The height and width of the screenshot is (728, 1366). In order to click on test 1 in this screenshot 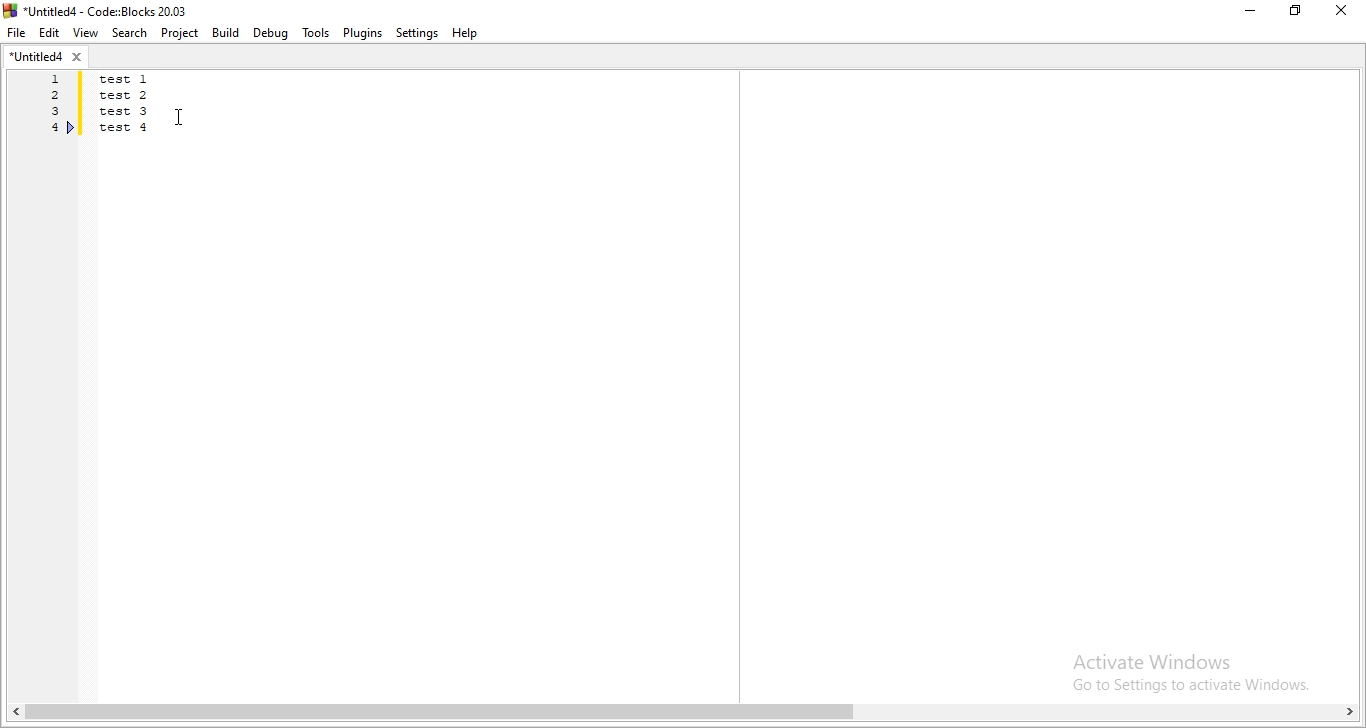, I will do `click(137, 79)`.